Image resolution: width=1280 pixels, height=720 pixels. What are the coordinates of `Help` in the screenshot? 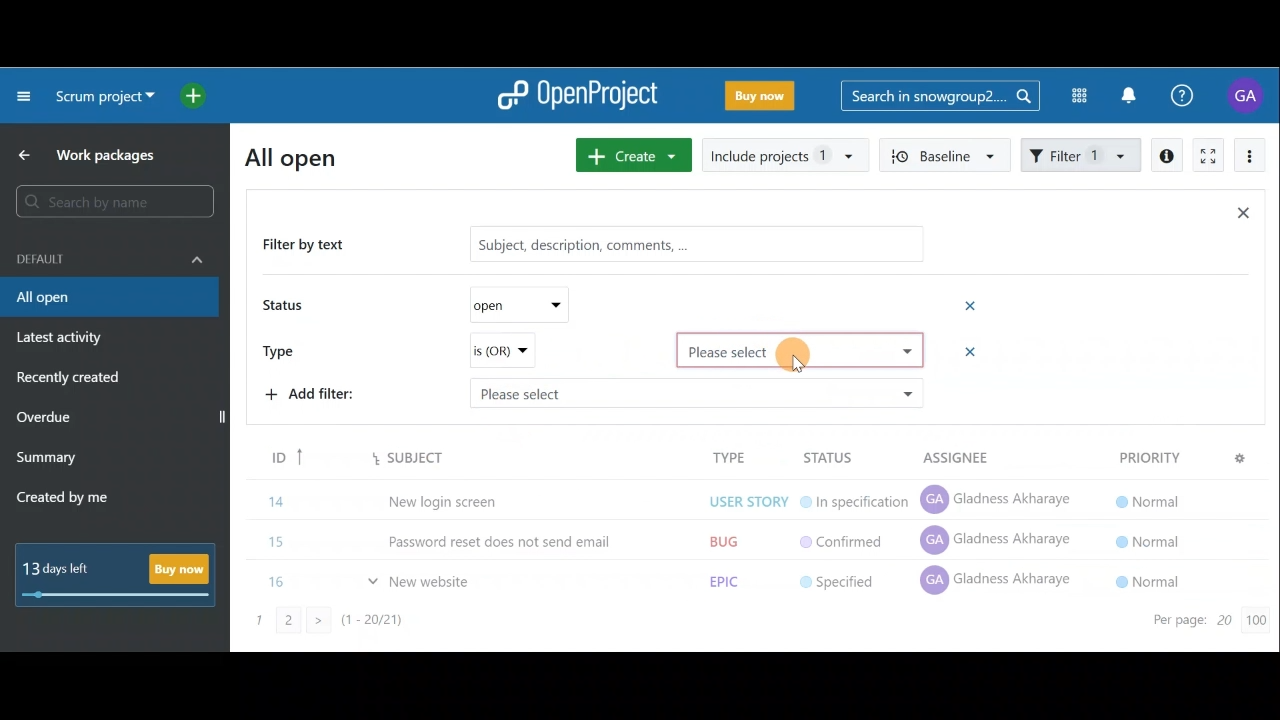 It's located at (1193, 96).